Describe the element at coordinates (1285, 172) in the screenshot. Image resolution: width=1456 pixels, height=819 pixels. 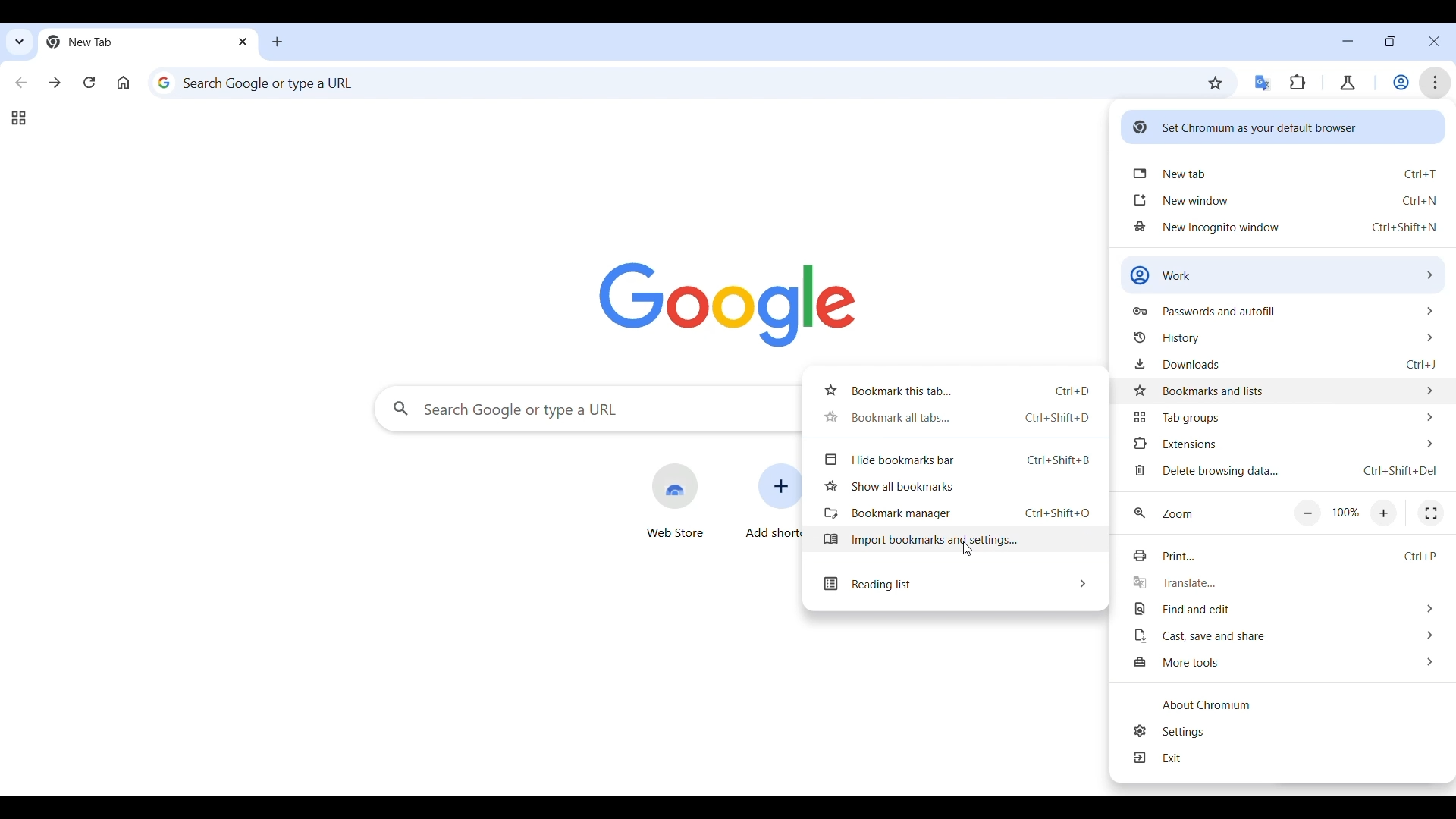
I see `New tab` at that location.